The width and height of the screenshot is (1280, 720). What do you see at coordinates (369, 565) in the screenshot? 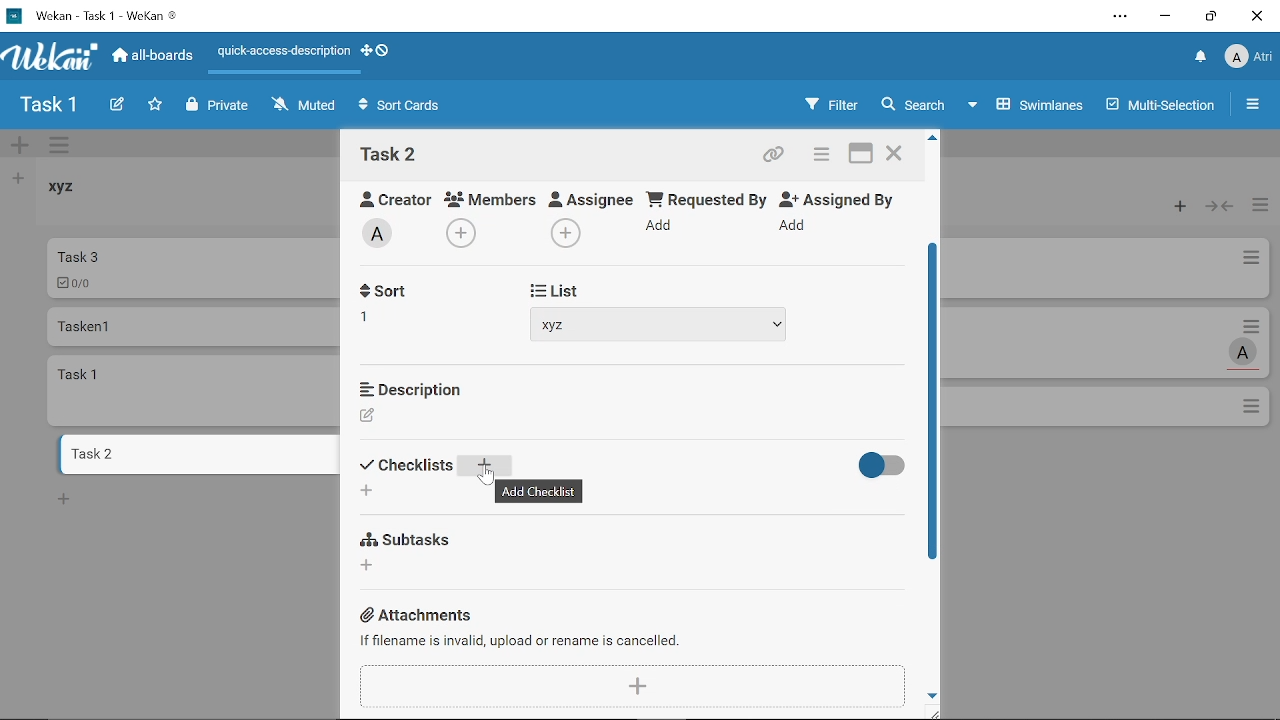
I see `Add substacks` at bounding box center [369, 565].